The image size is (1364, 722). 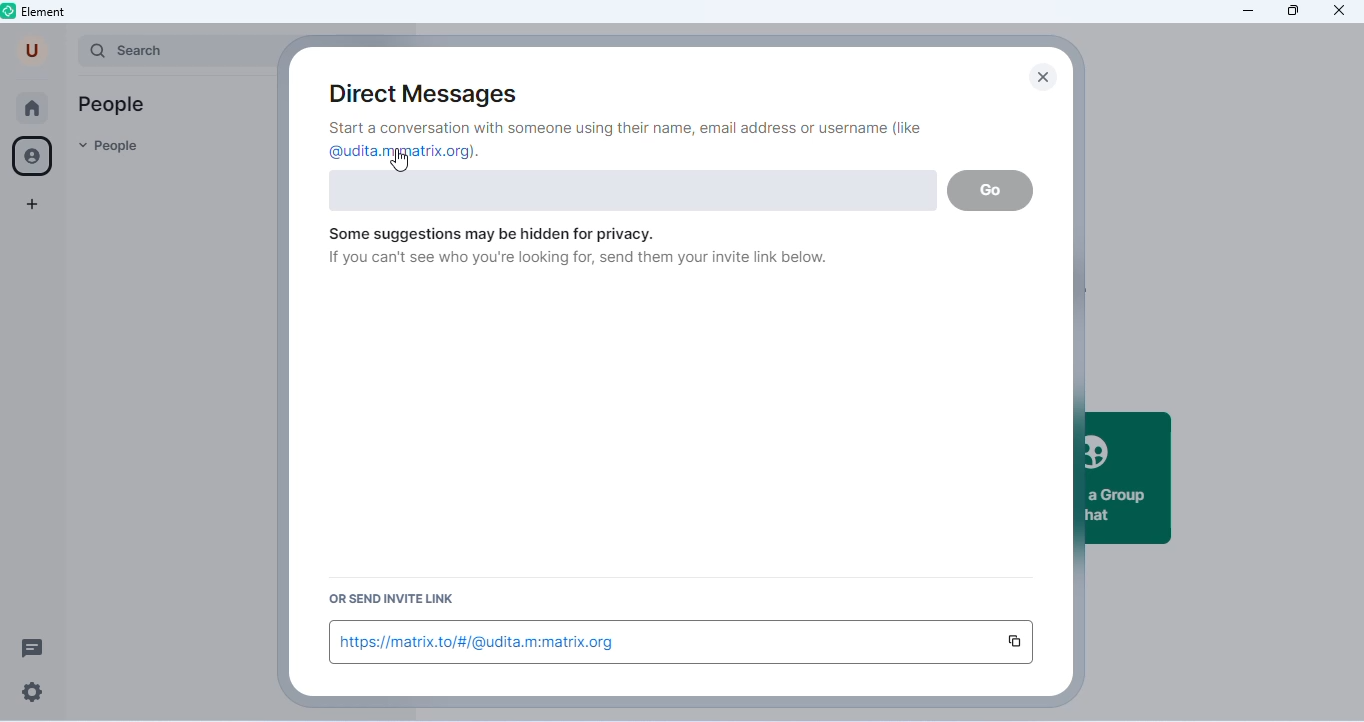 What do you see at coordinates (1246, 11) in the screenshot?
I see `minimize` at bounding box center [1246, 11].